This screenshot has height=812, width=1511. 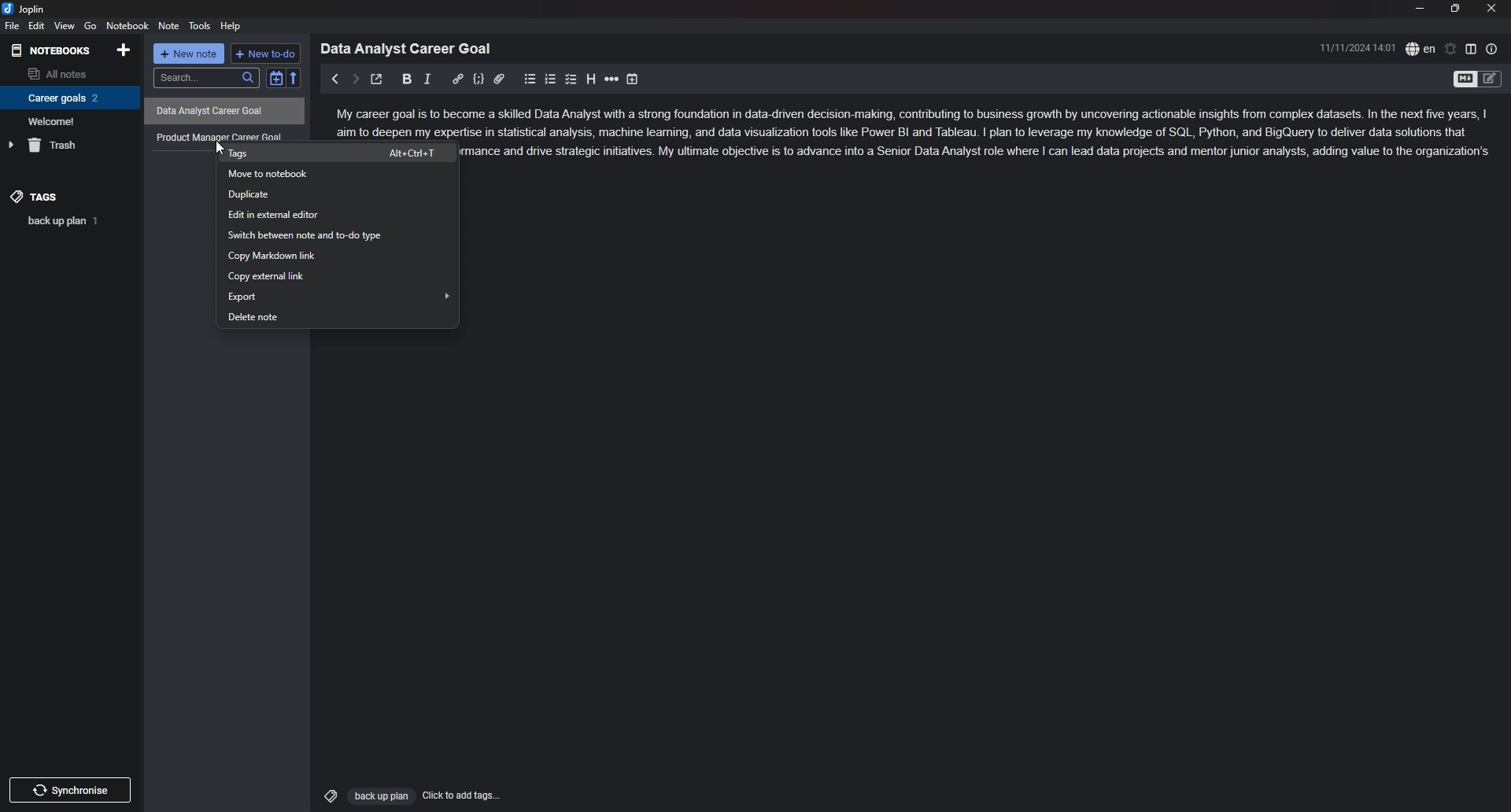 I want to click on edit in external editor, so click(x=338, y=214).